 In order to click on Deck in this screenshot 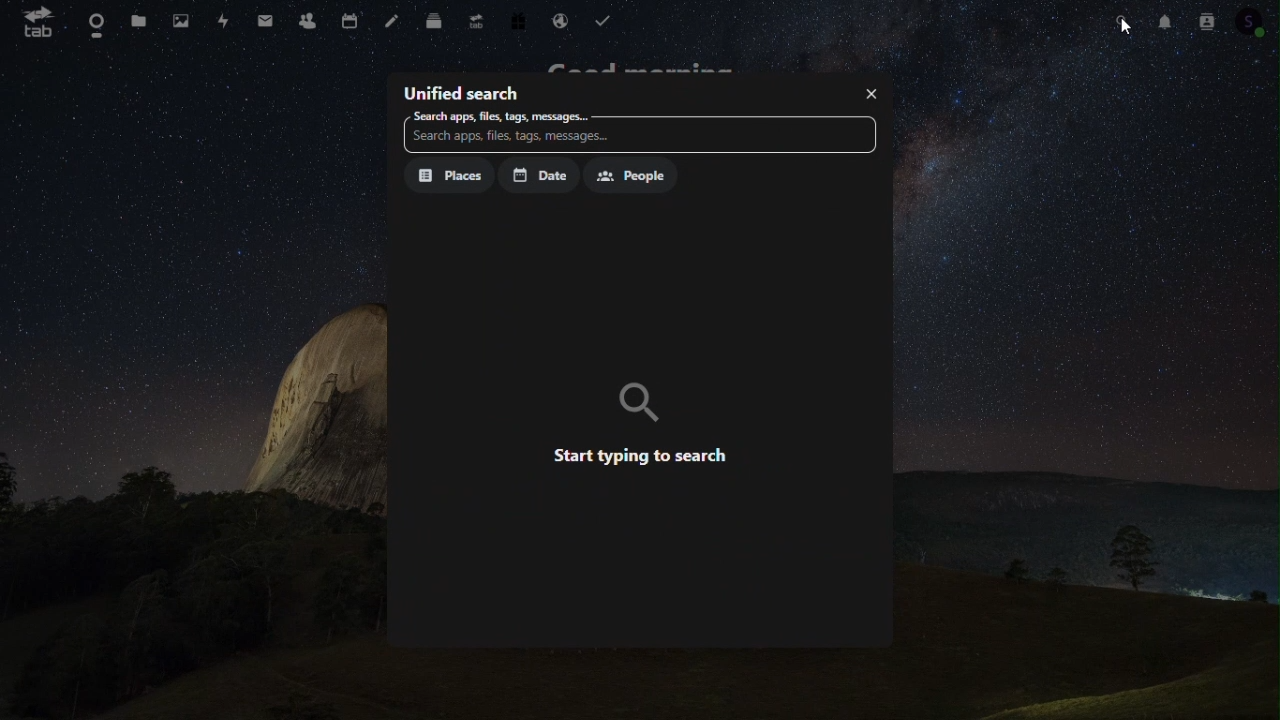, I will do `click(432, 16)`.